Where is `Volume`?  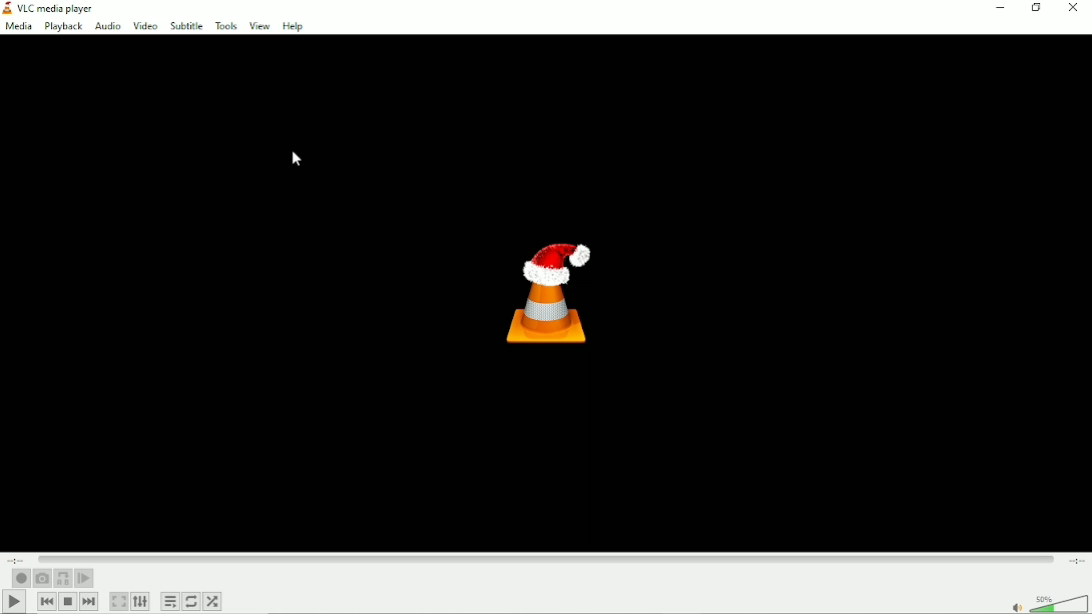 Volume is located at coordinates (1044, 600).